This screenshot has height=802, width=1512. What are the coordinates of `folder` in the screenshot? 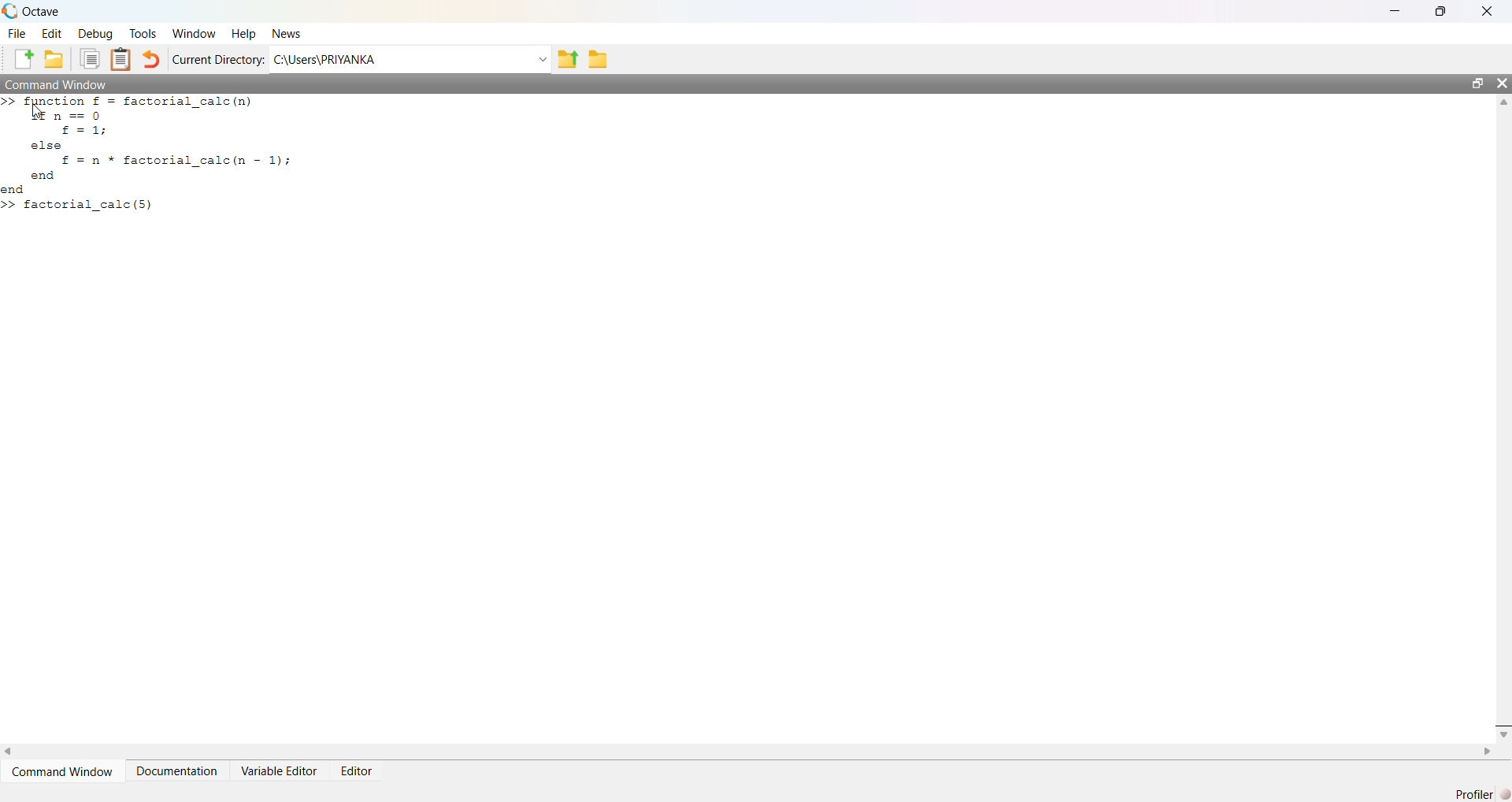 It's located at (600, 59).